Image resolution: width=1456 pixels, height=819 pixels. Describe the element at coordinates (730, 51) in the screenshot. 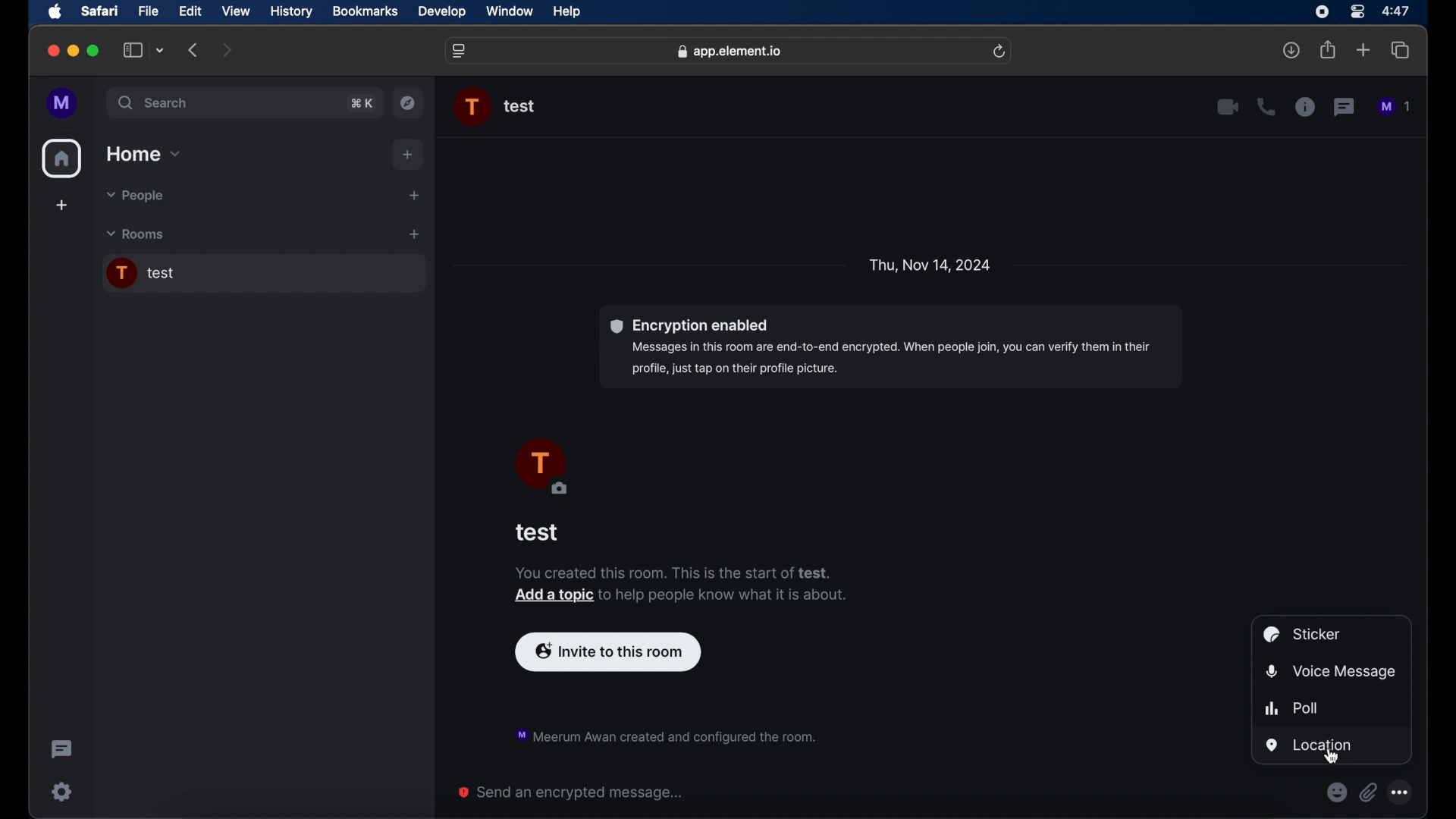

I see `web address` at that location.